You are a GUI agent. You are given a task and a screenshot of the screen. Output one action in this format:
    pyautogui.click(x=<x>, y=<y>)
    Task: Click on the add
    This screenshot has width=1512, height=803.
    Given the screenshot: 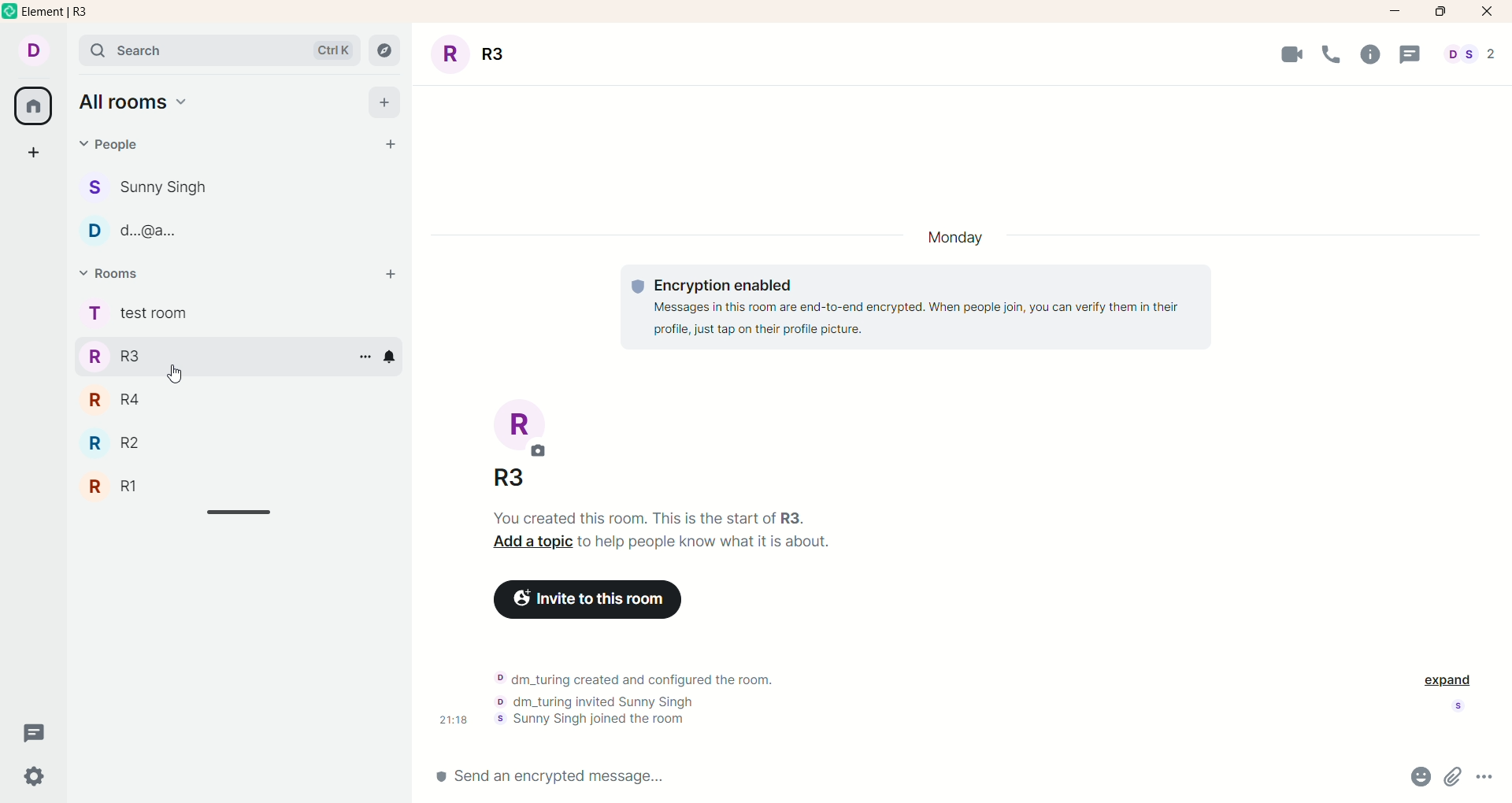 What is the action you would take?
    pyautogui.click(x=386, y=105)
    